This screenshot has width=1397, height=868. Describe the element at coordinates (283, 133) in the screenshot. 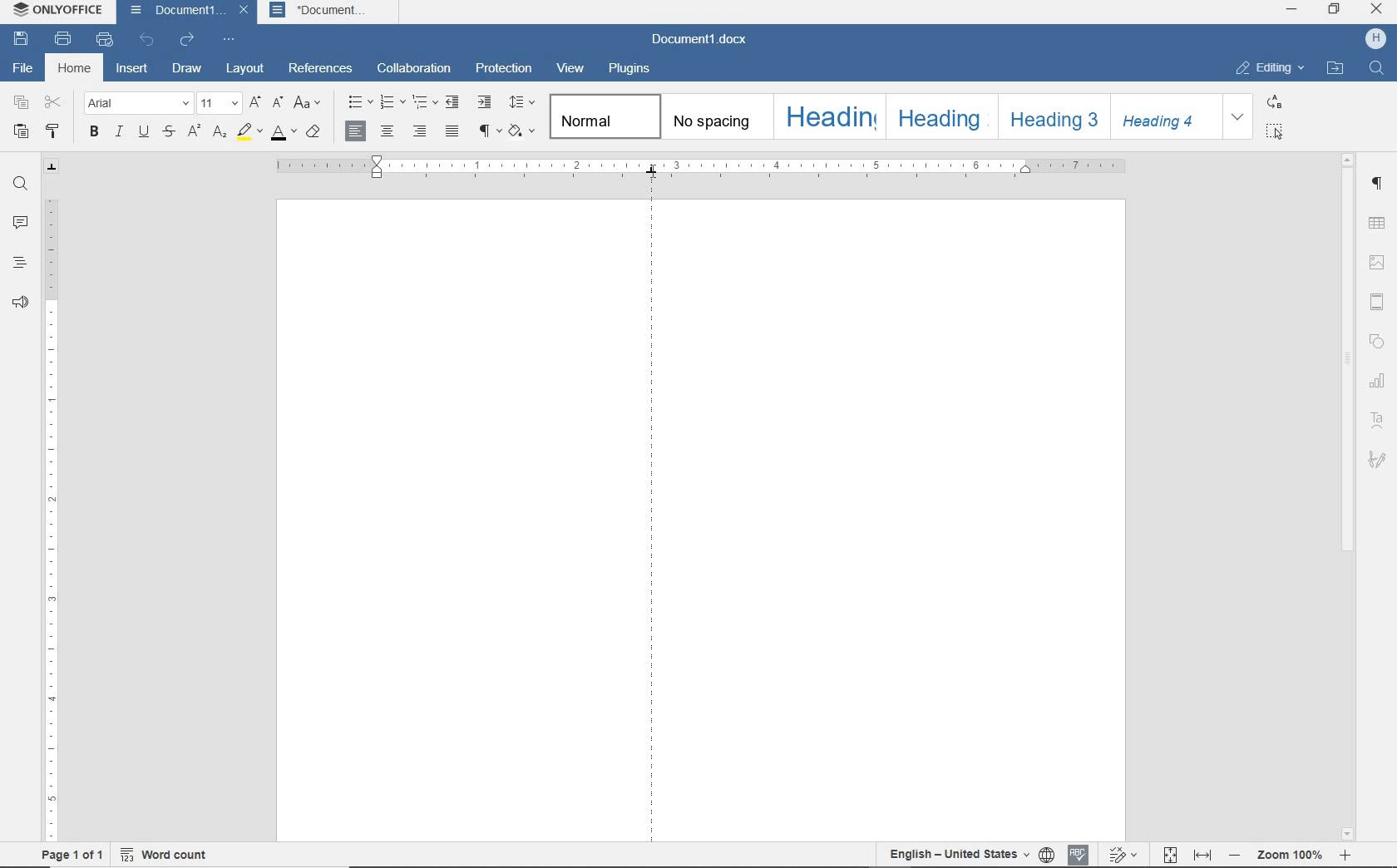

I see `FONT COLOR` at that location.